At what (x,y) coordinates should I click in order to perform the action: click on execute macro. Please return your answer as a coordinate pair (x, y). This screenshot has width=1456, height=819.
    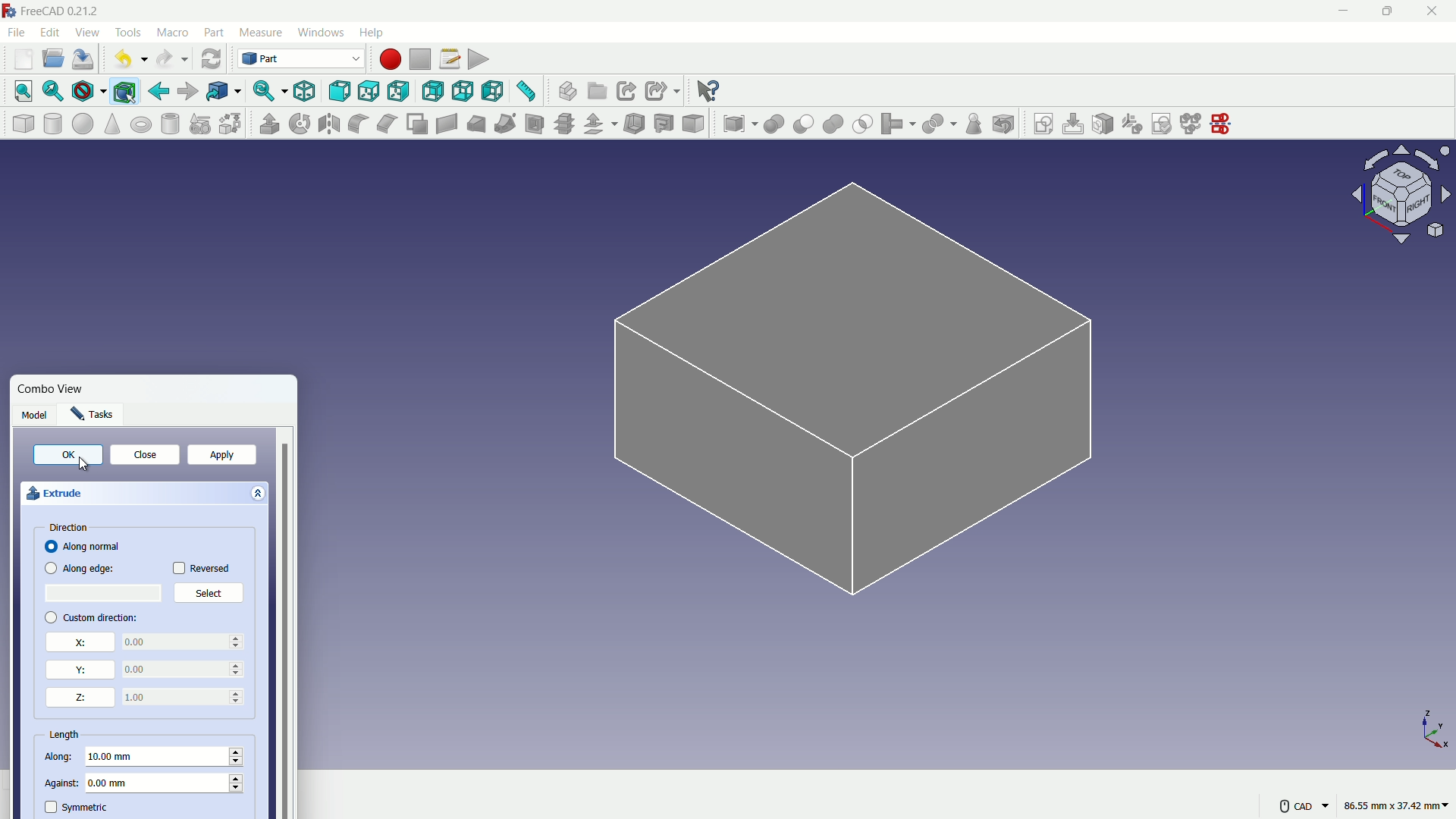
    Looking at the image, I should click on (478, 58).